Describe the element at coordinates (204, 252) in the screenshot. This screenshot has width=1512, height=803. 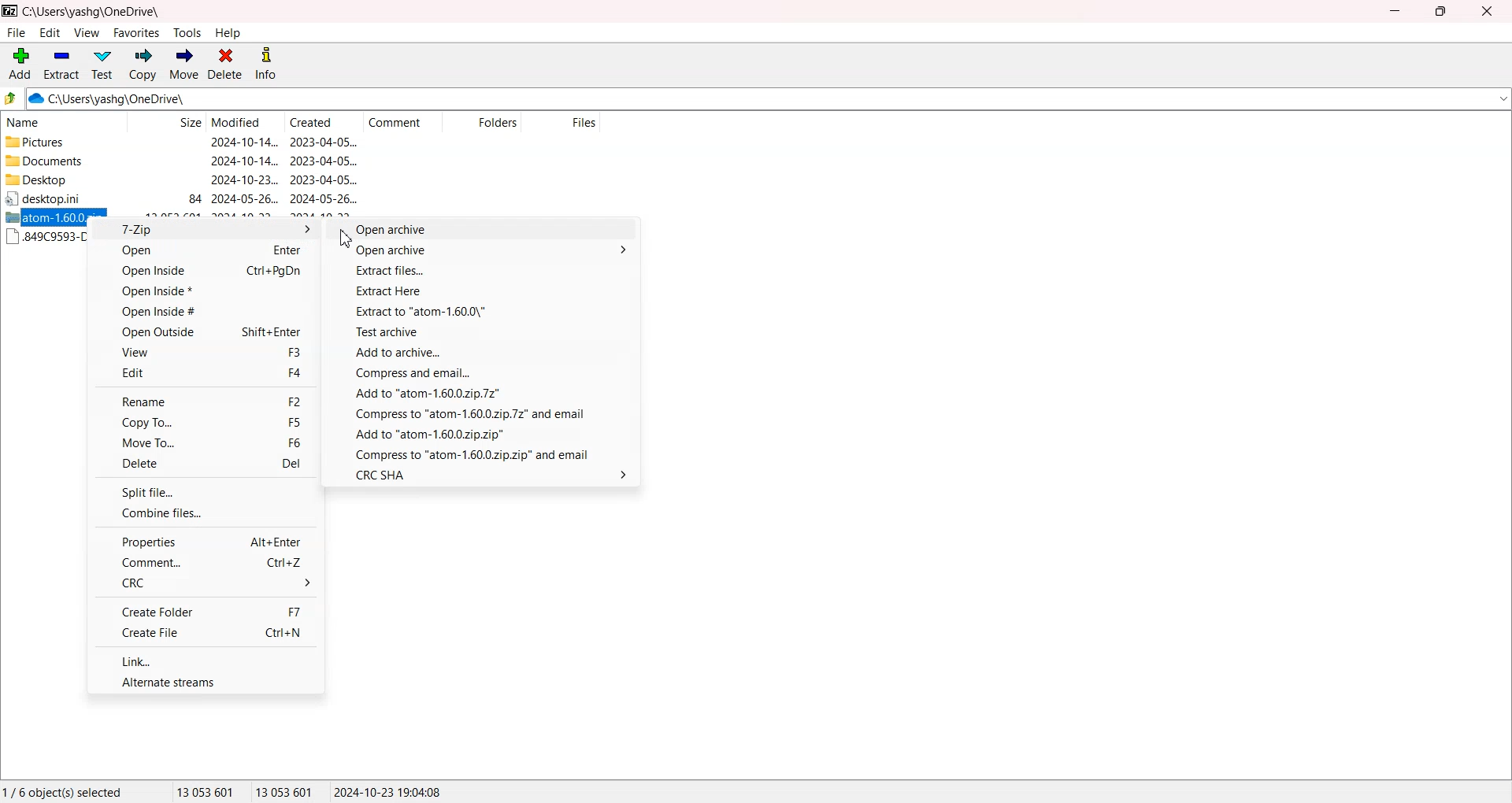
I see `Open` at that location.